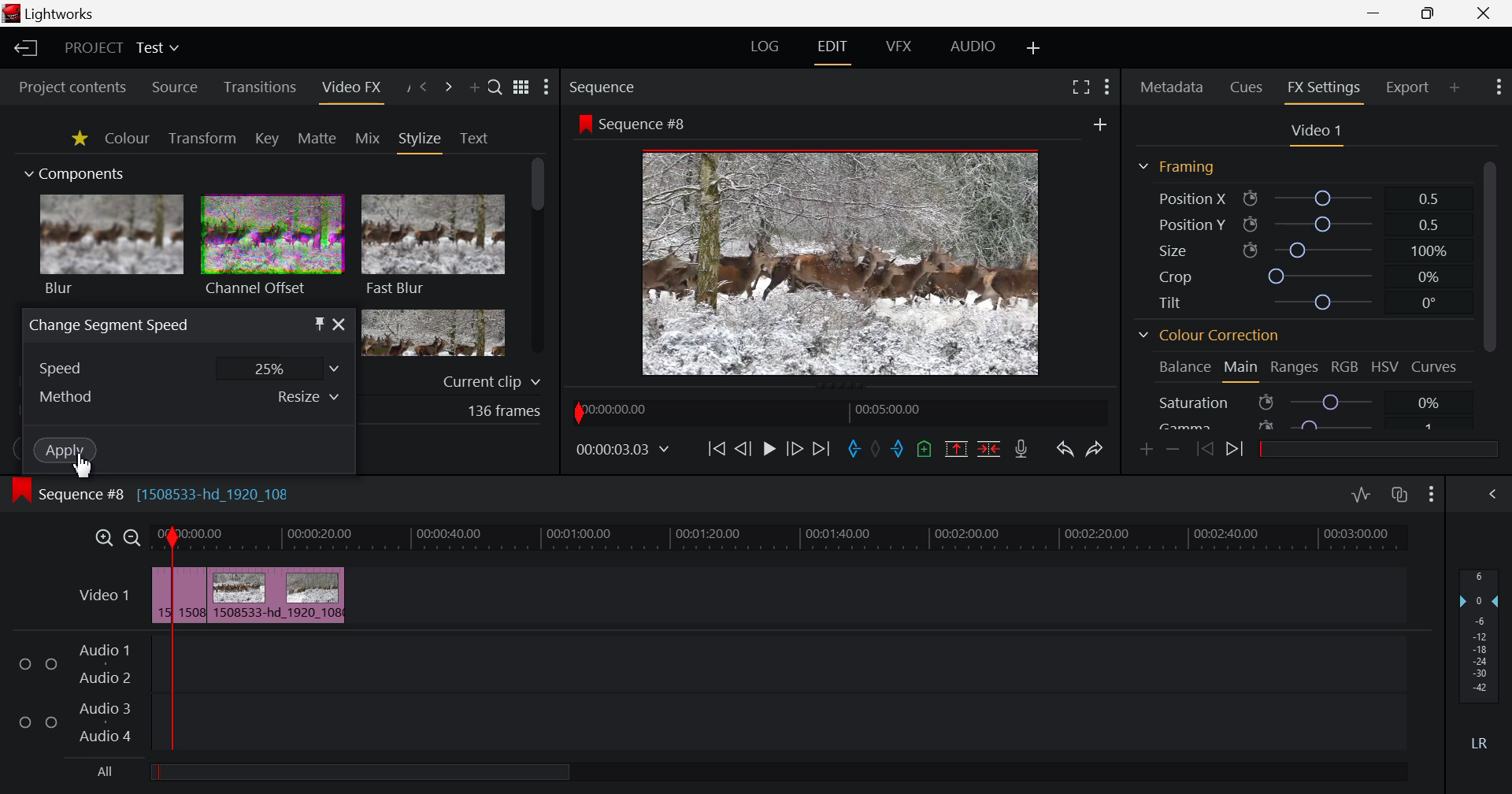 The height and width of the screenshot is (794, 1512). What do you see at coordinates (1296, 368) in the screenshot?
I see `Ranges` at bounding box center [1296, 368].